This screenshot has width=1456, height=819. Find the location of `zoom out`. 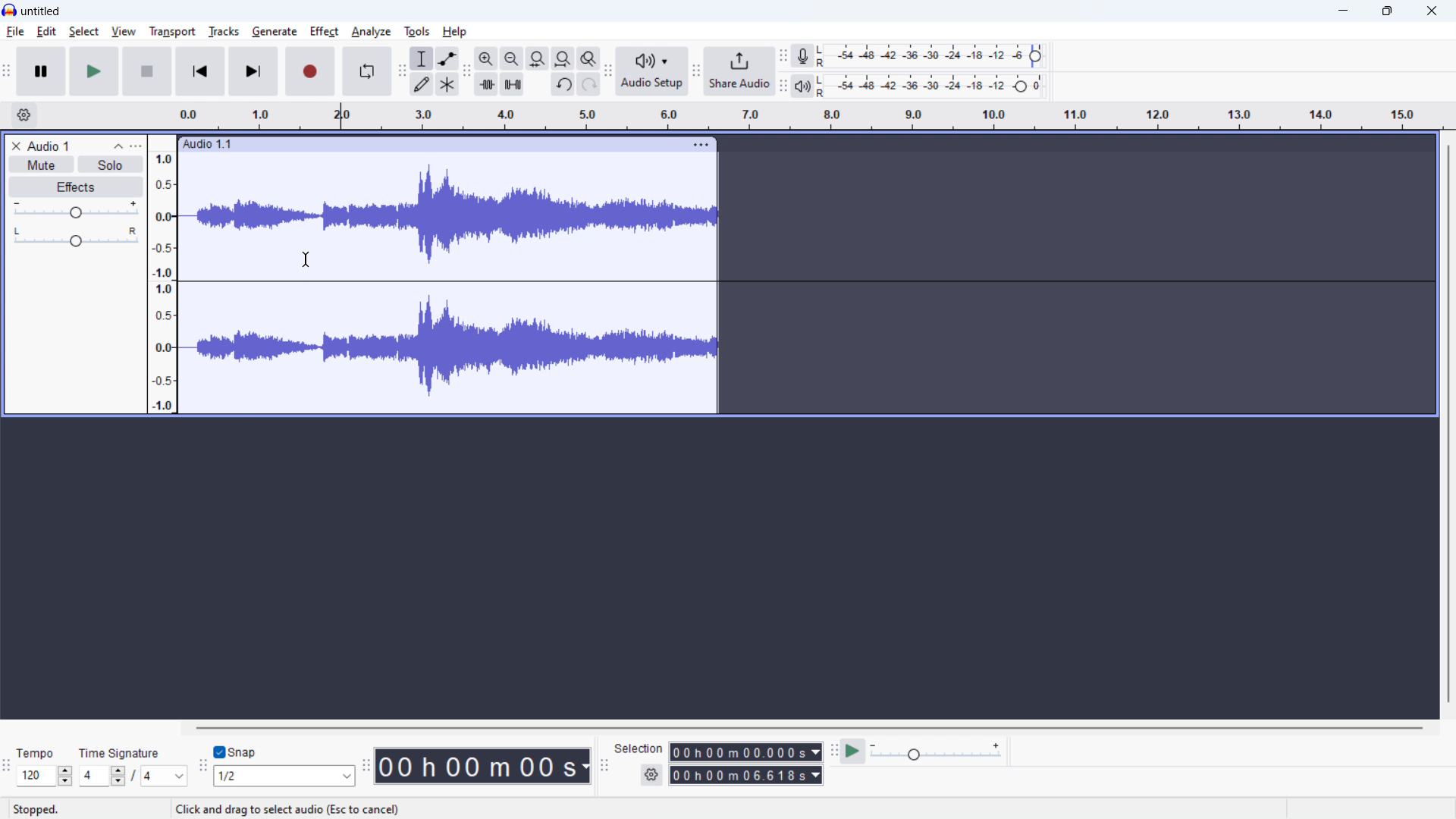

zoom out is located at coordinates (511, 58).